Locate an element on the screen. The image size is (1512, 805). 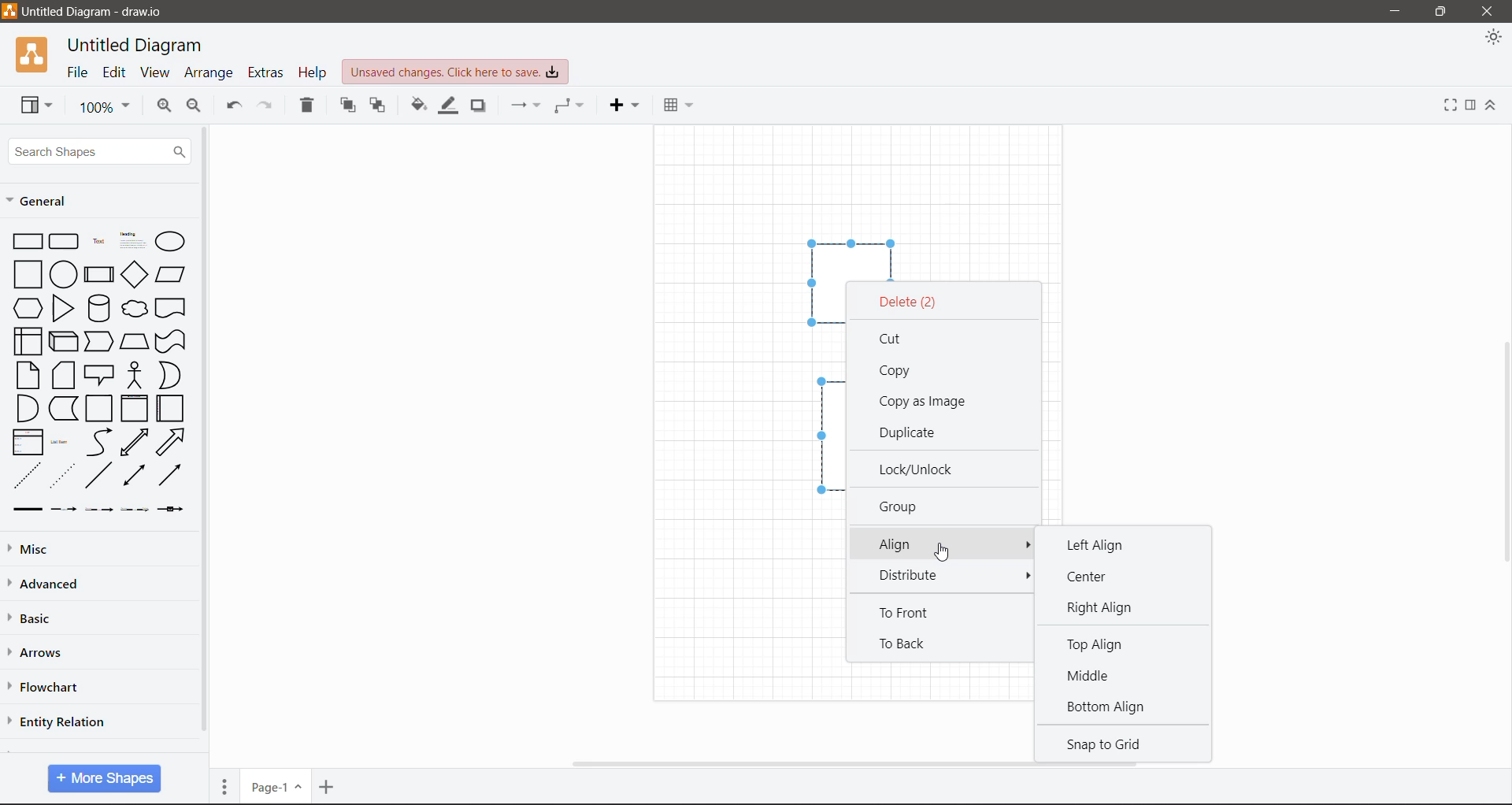
Copy is located at coordinates (898, 372).